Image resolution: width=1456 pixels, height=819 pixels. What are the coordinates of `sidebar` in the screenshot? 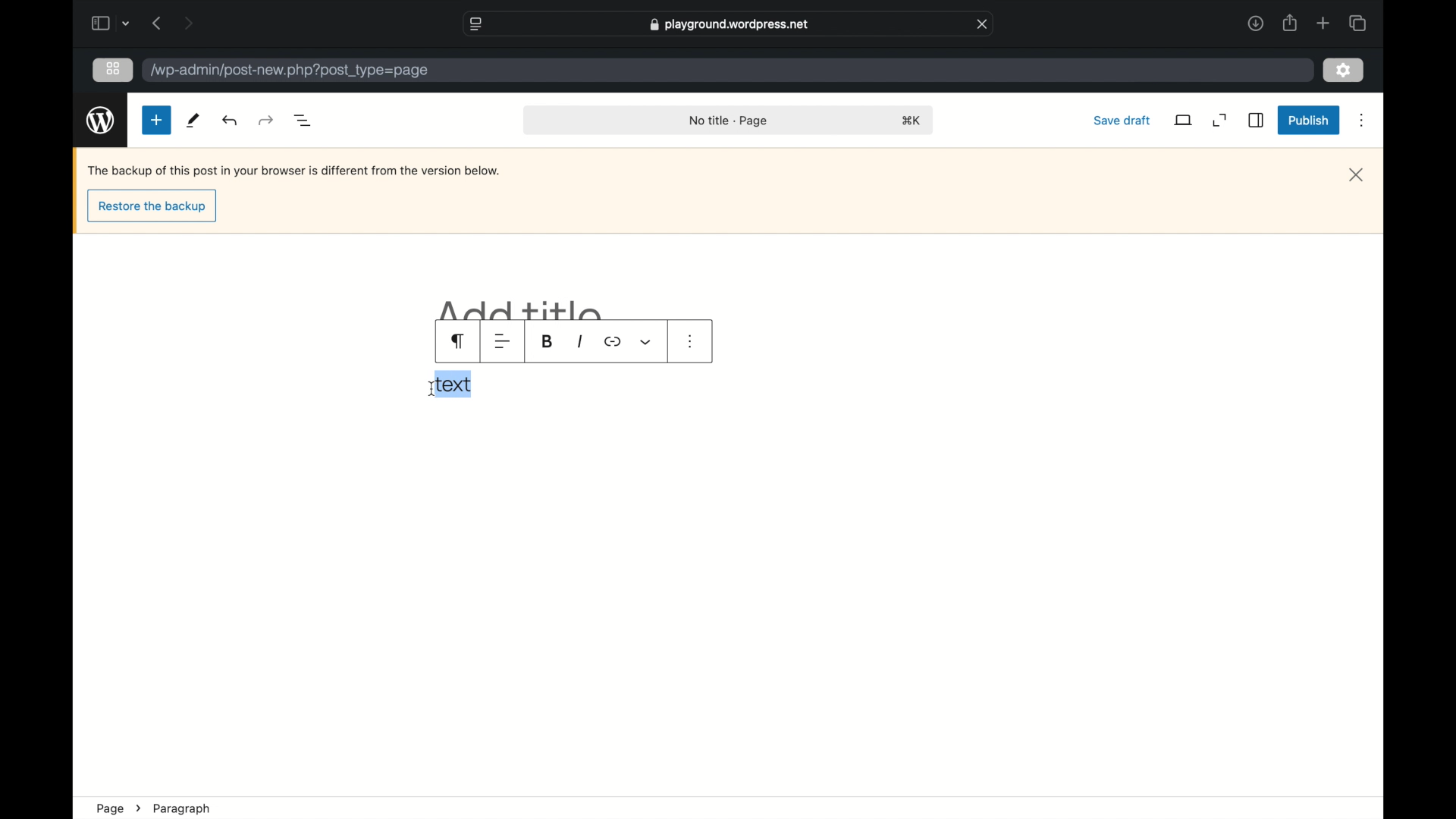 It's located at (1257, 121).